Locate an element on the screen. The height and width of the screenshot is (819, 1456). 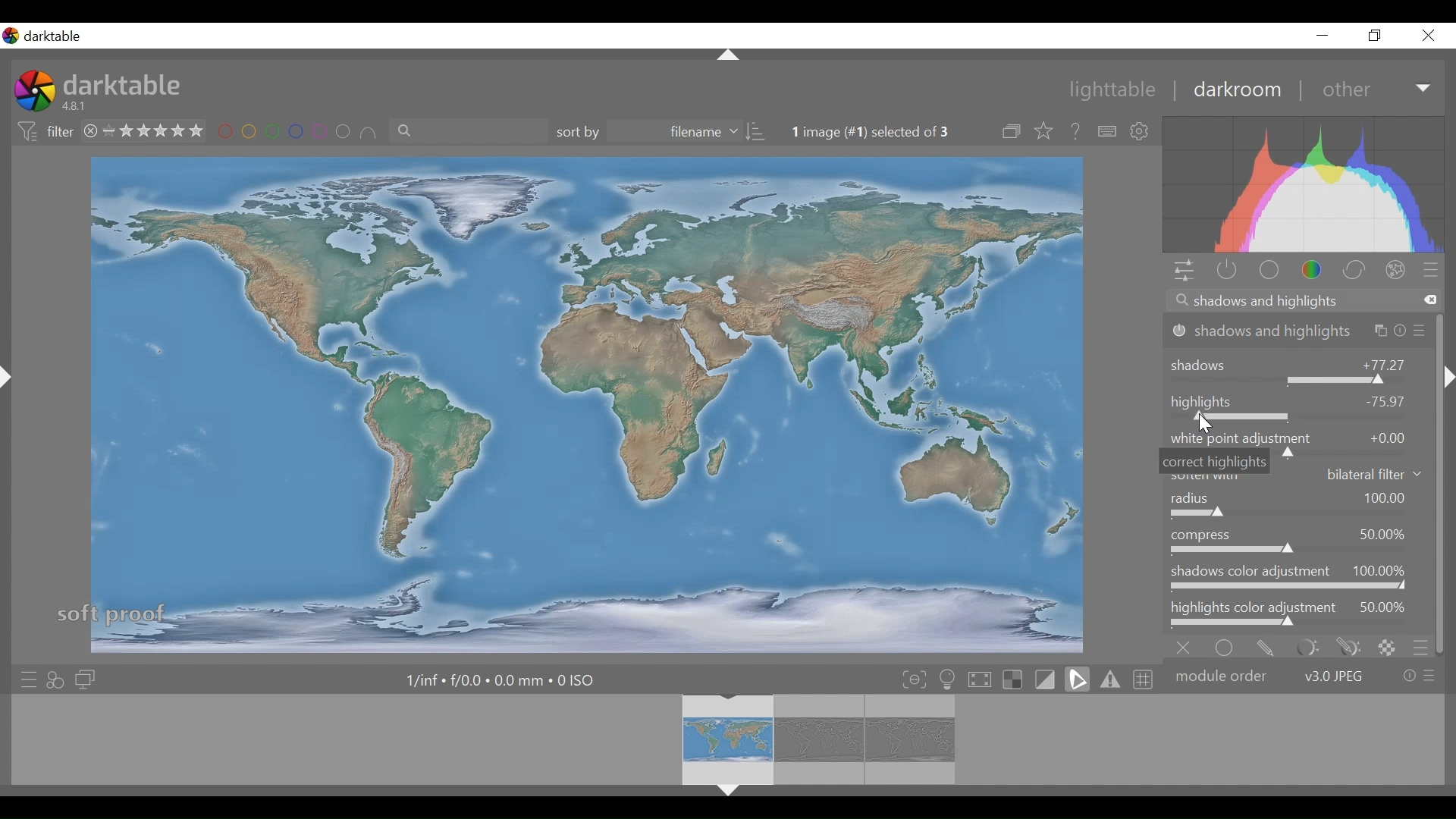
filter by images color label is located at coordinates (299, 133).